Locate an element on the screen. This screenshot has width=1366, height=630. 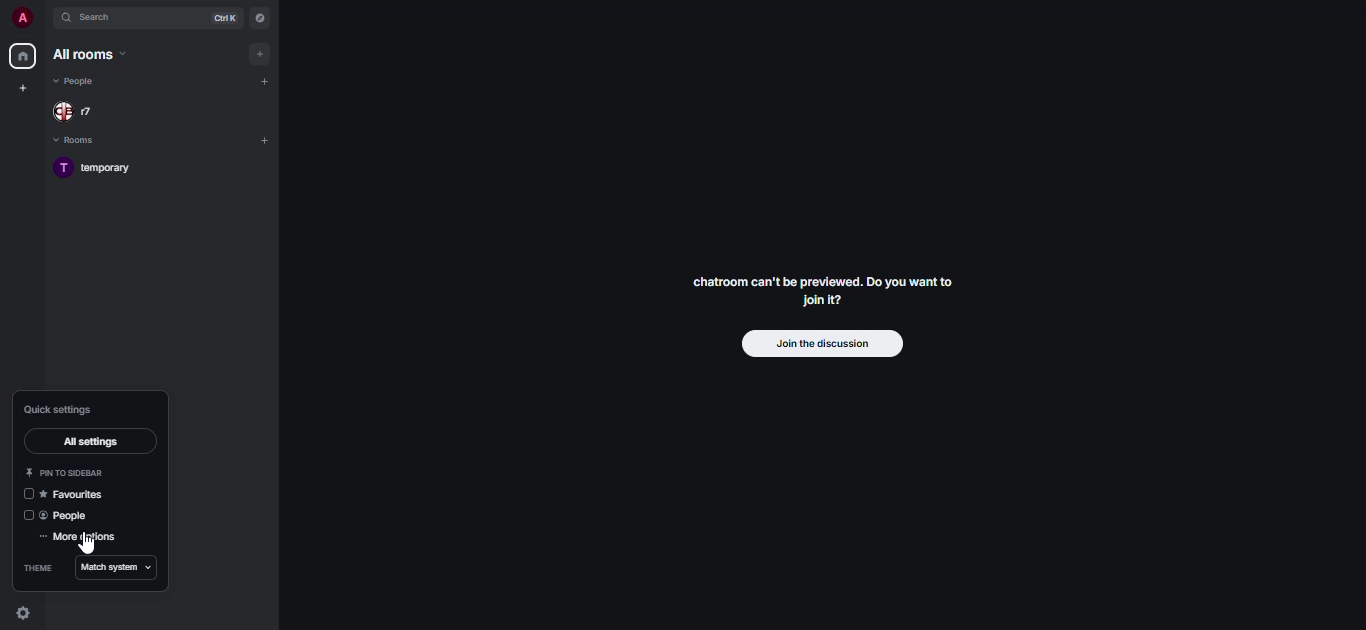
all rooms is located at coordinates (90, 54).